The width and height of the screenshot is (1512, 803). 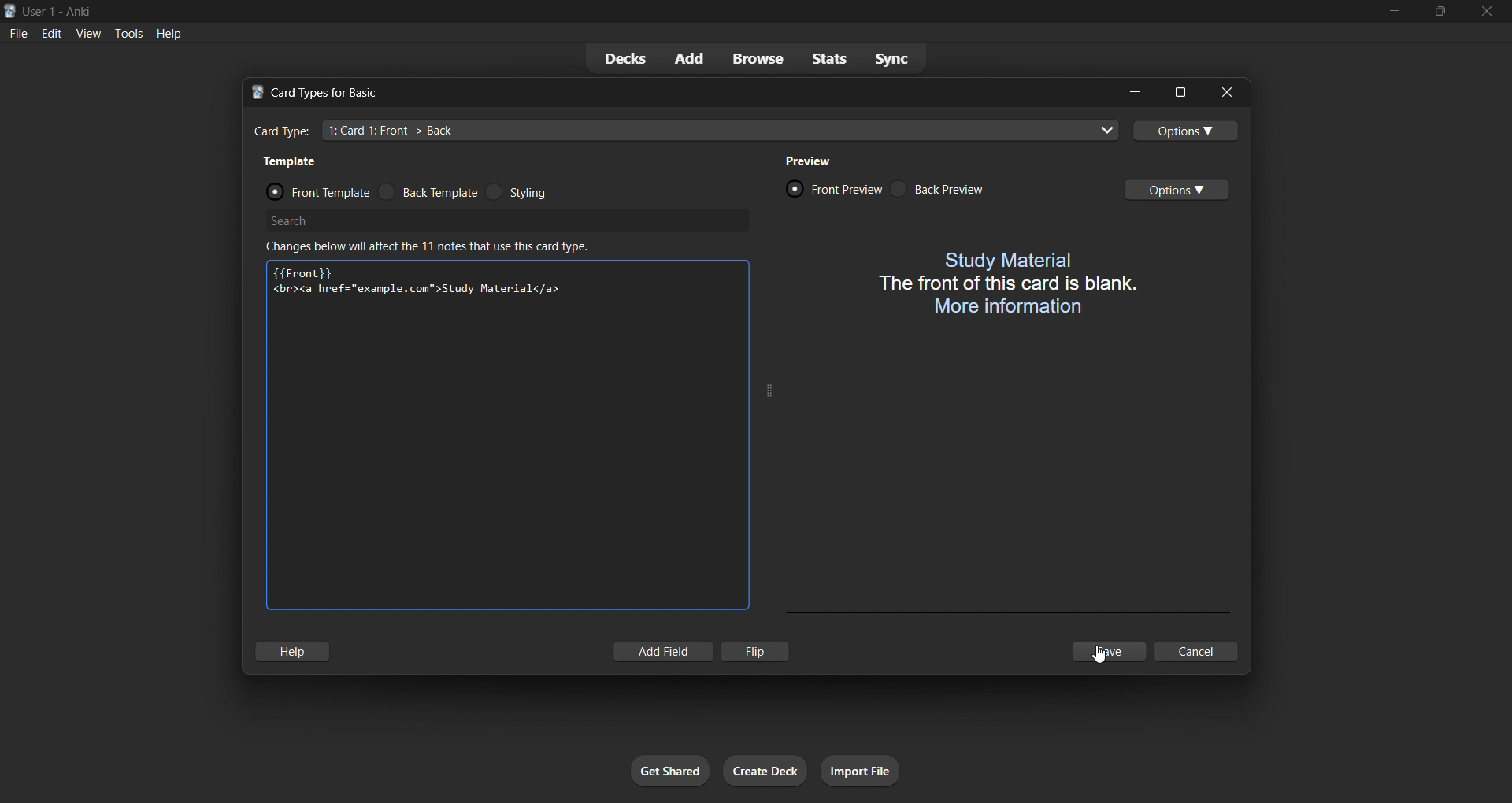 What do you see at coordinates (51, 35) in the screenshot?
I see `edit` at bounding box center [51, 35].